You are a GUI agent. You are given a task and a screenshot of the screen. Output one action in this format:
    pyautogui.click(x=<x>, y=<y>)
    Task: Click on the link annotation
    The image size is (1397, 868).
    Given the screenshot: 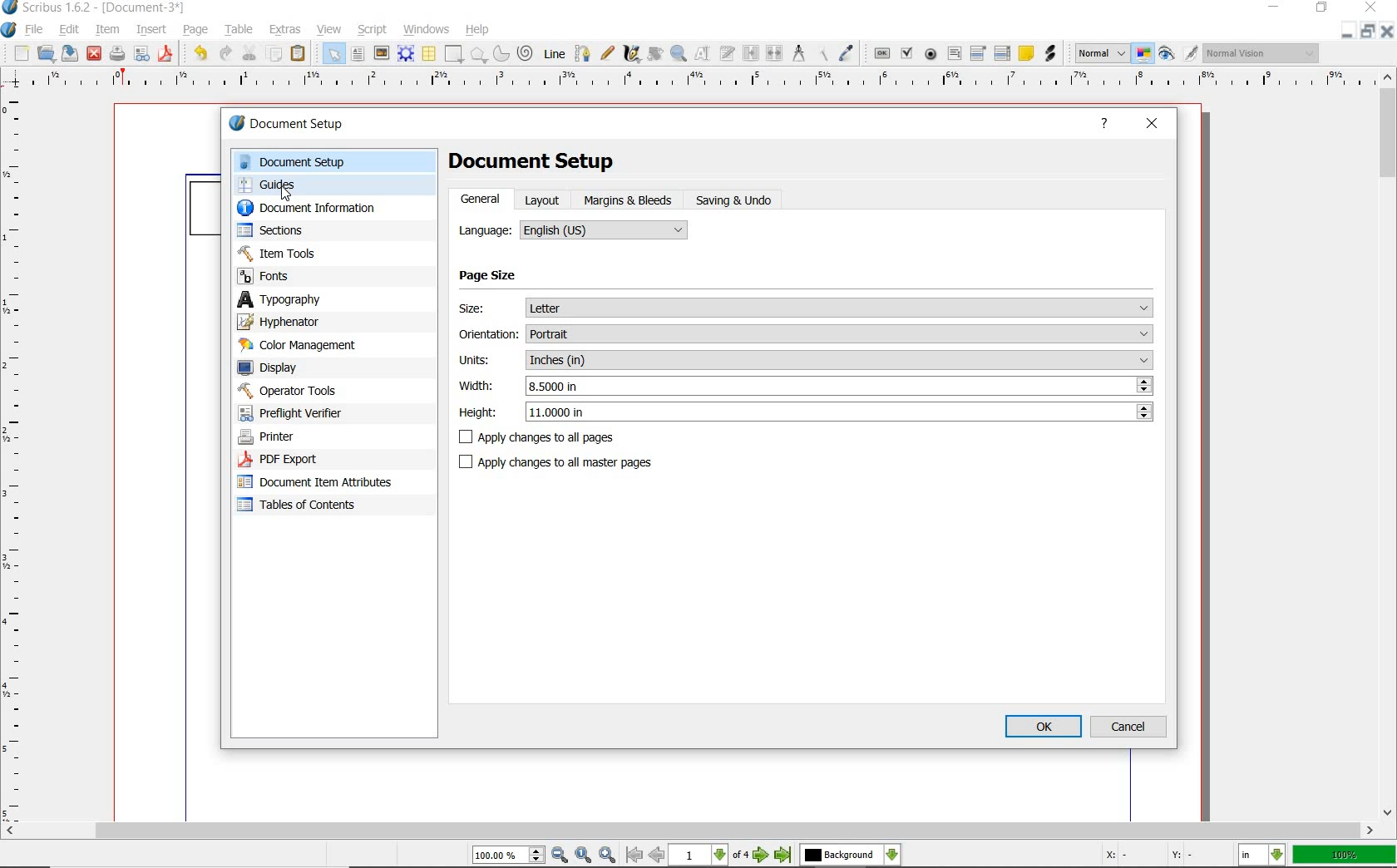 What is the action you would take?
    pyautogui.click(x=1053, y=55)
    